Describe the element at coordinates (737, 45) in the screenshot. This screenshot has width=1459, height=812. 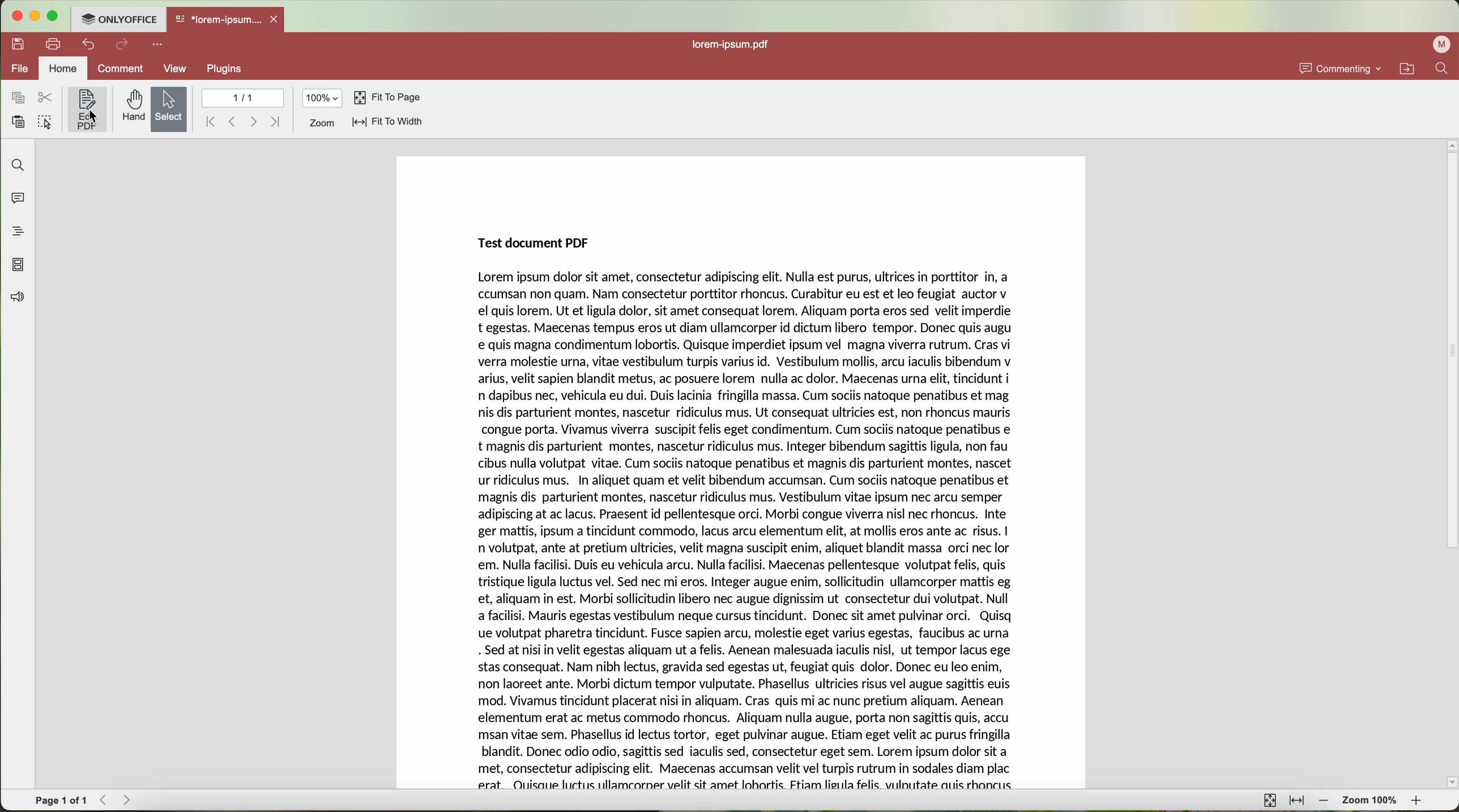
I see `lorem-ipsum.pdf` at that location.